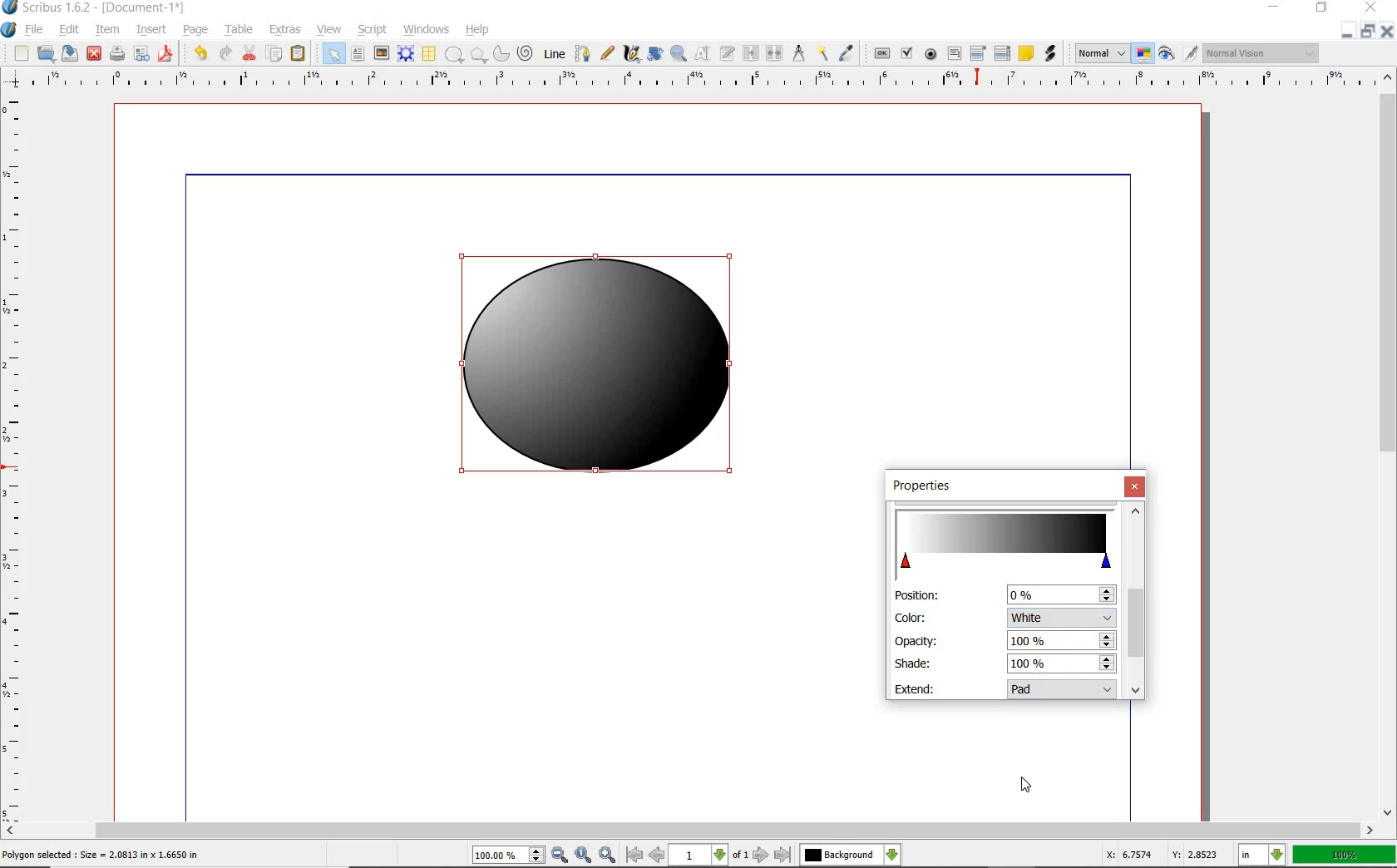 Image resolution: width=1397 pixels, height=868 pixels. What do you see at coordinates (761, 855) in the screenshot?
I see `next` at bounding box center [761, 855].